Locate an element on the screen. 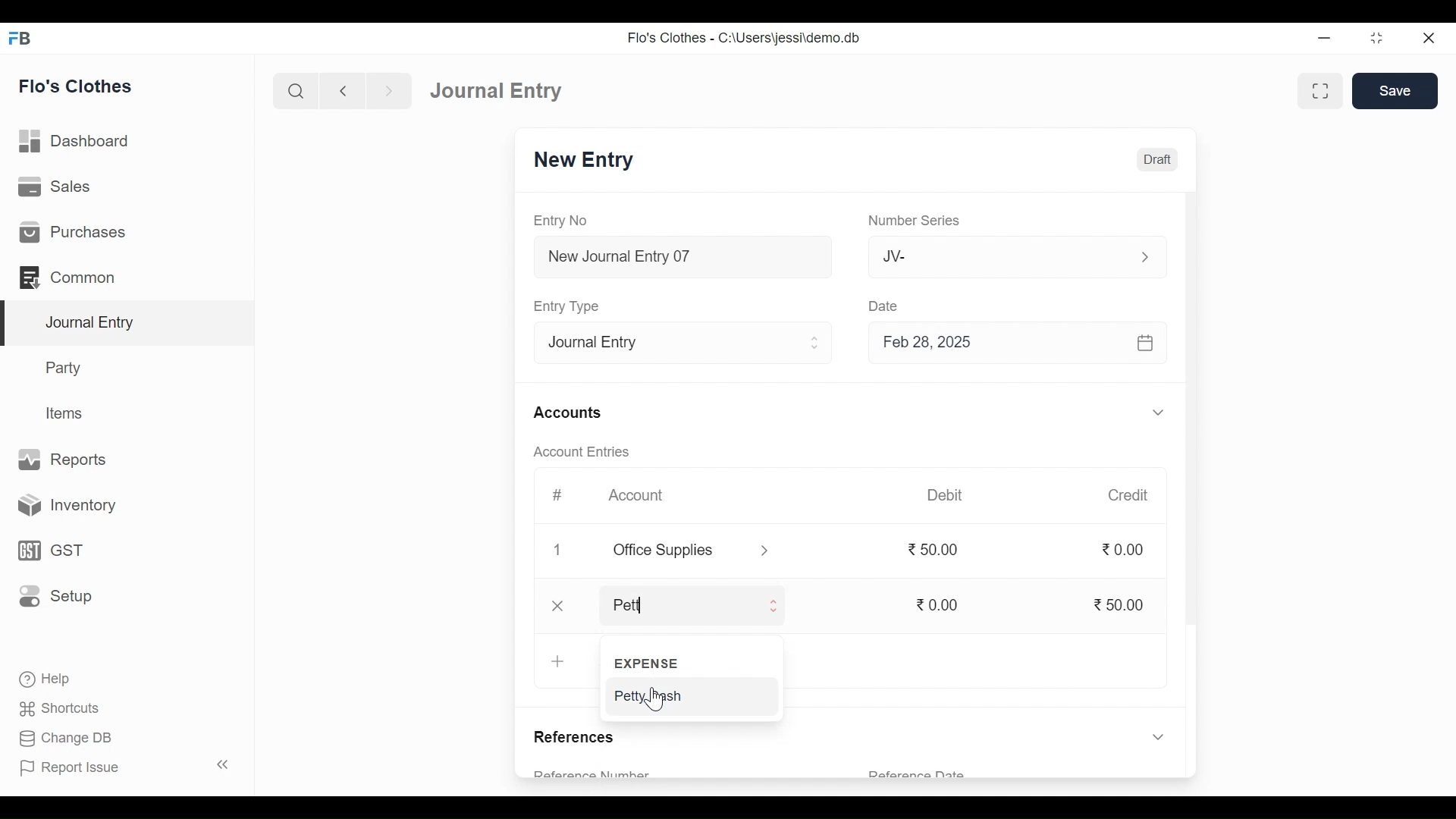 The height and width of the screenshot is (819, 1456). Petty Cash is located at coordinates (657, 697).